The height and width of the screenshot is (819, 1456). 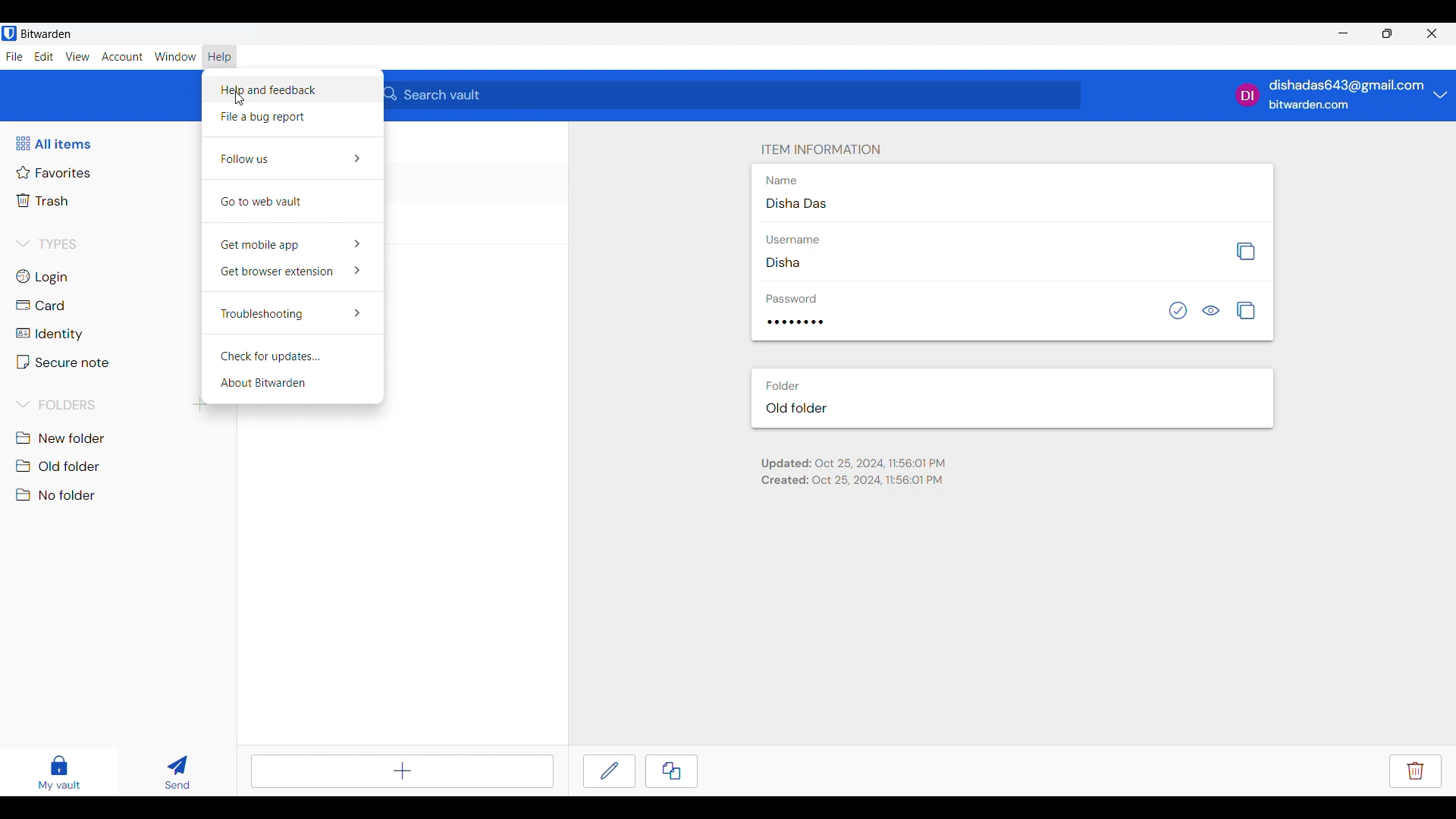 I want to click on bitwarden.com, so click(x=1309, y=105).